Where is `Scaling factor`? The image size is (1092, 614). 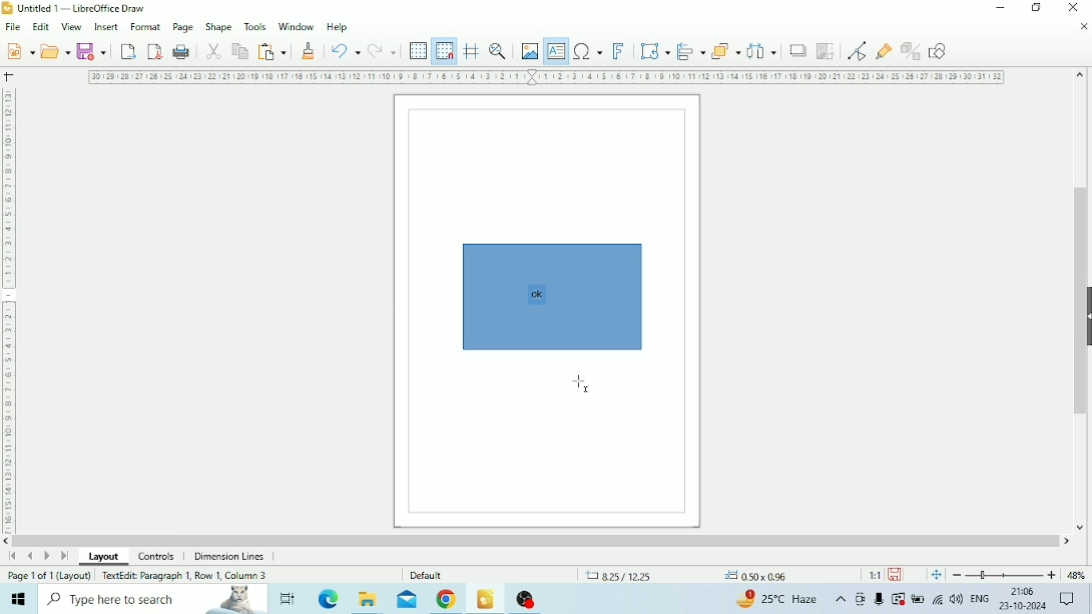
Scaling factor is located at coordinates (873, 574).